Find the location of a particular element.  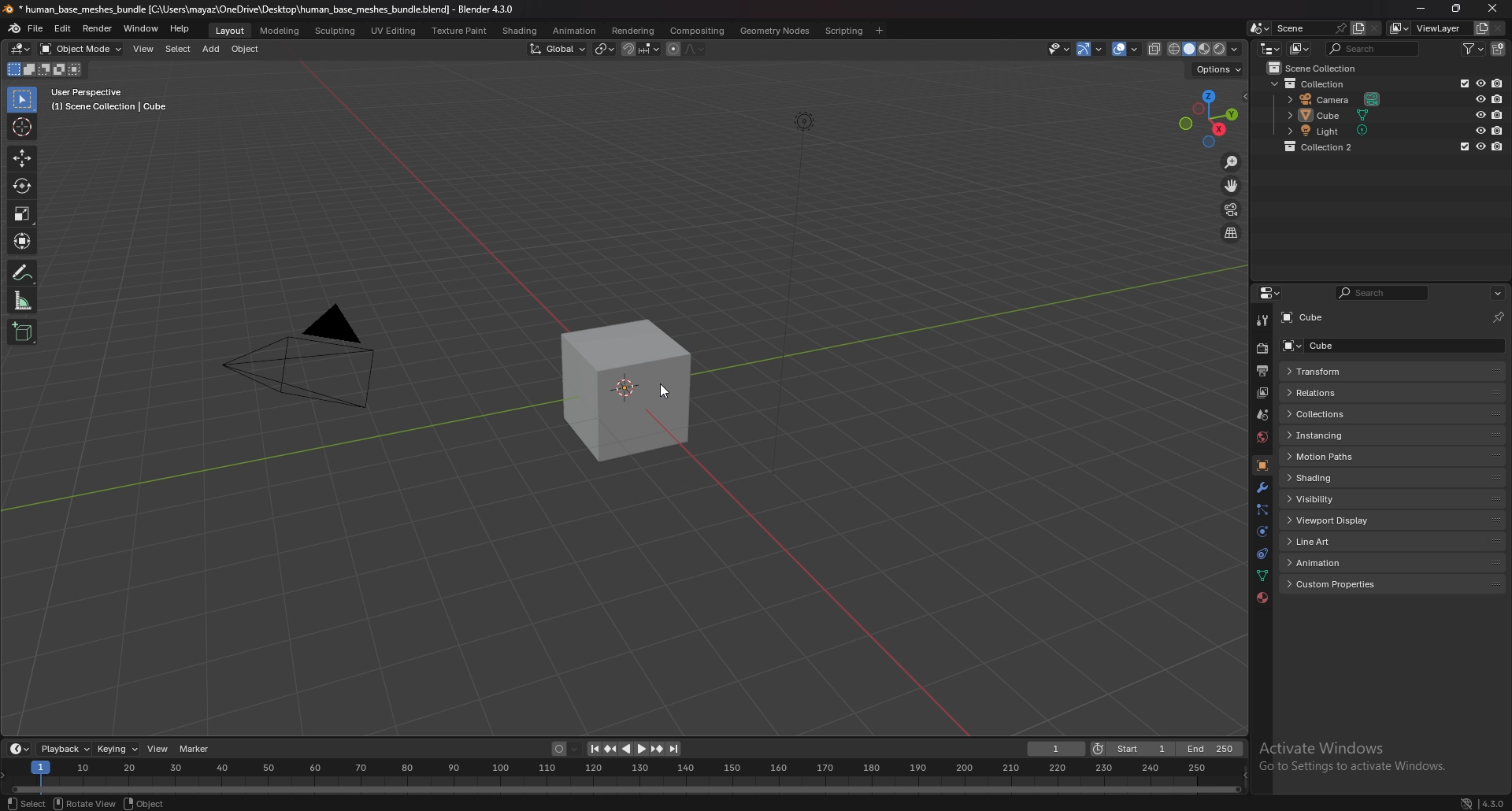

render is located at coordinates (1262, 349).